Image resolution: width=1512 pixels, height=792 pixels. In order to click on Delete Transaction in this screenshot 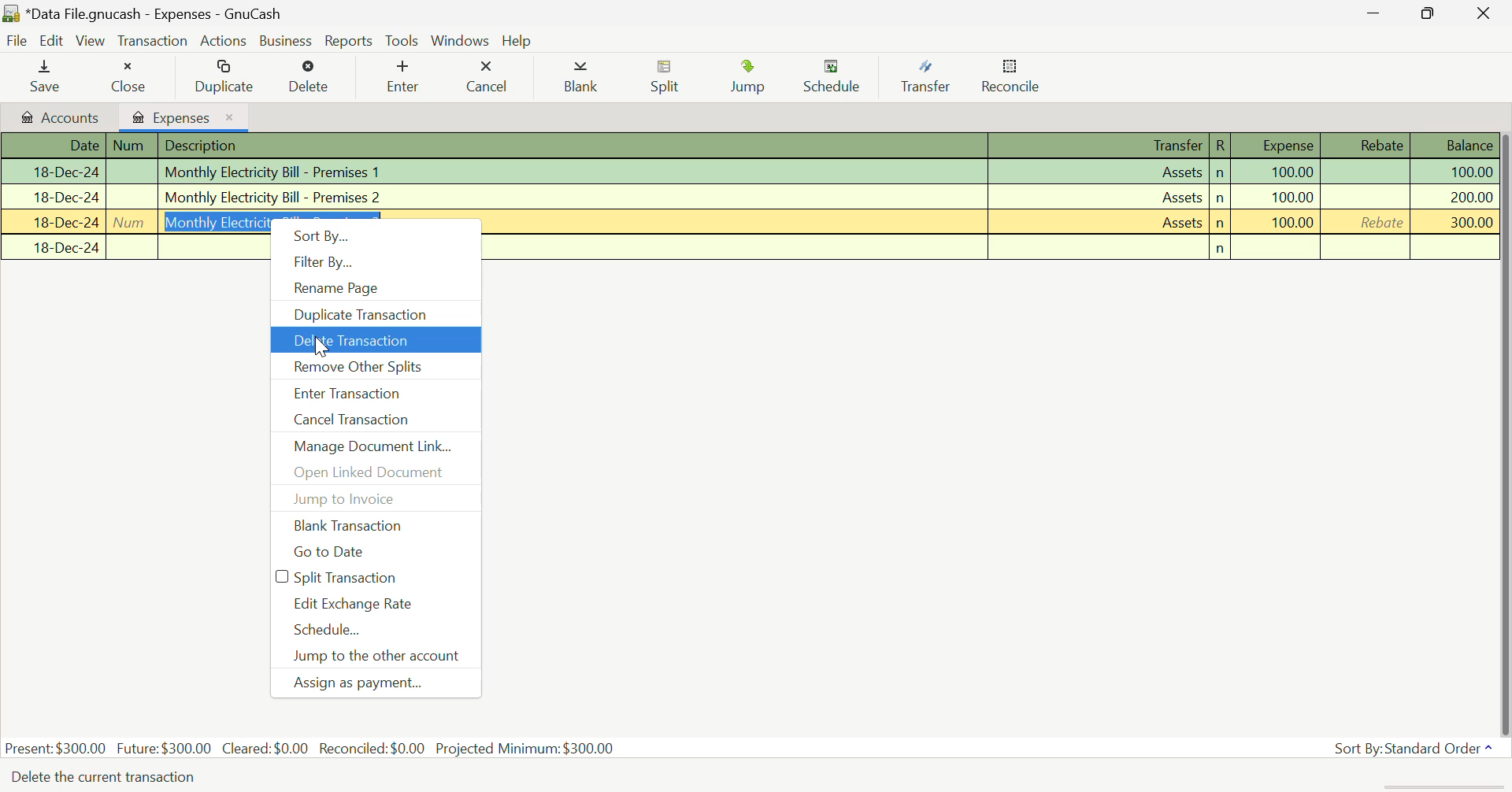, I will do `click(374, 341)`.